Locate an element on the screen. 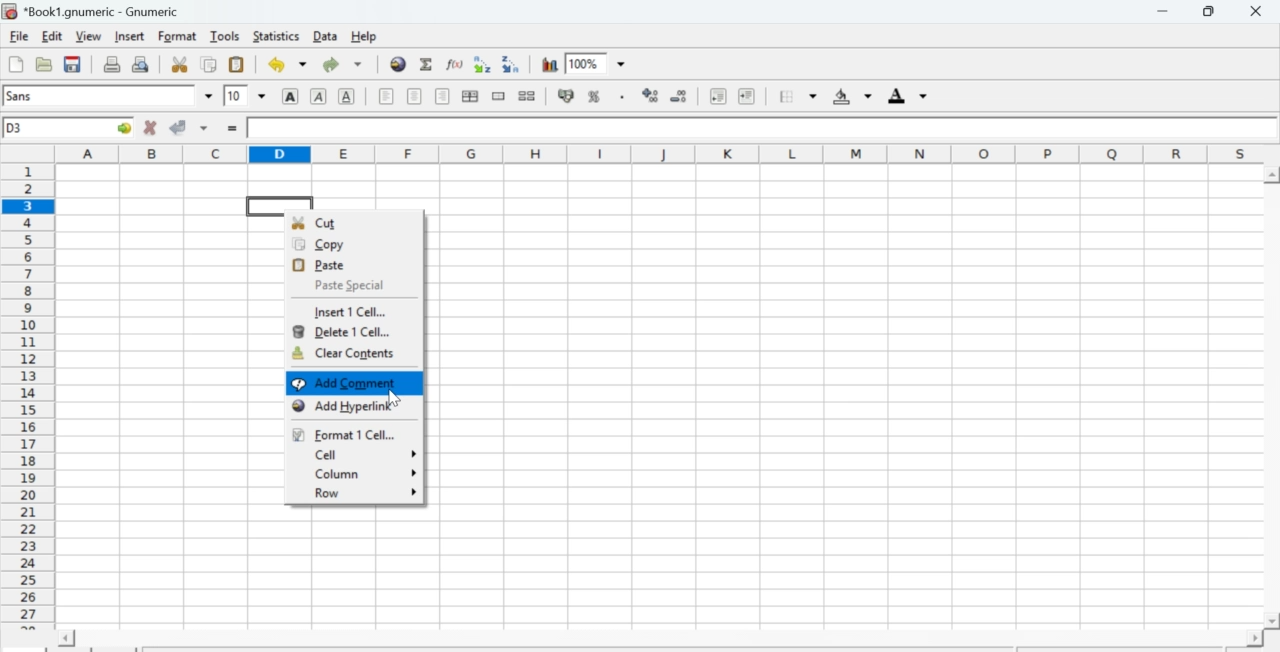 This screenshot has width=1280, height=652. Edit function is located at coordinates (454, 67).